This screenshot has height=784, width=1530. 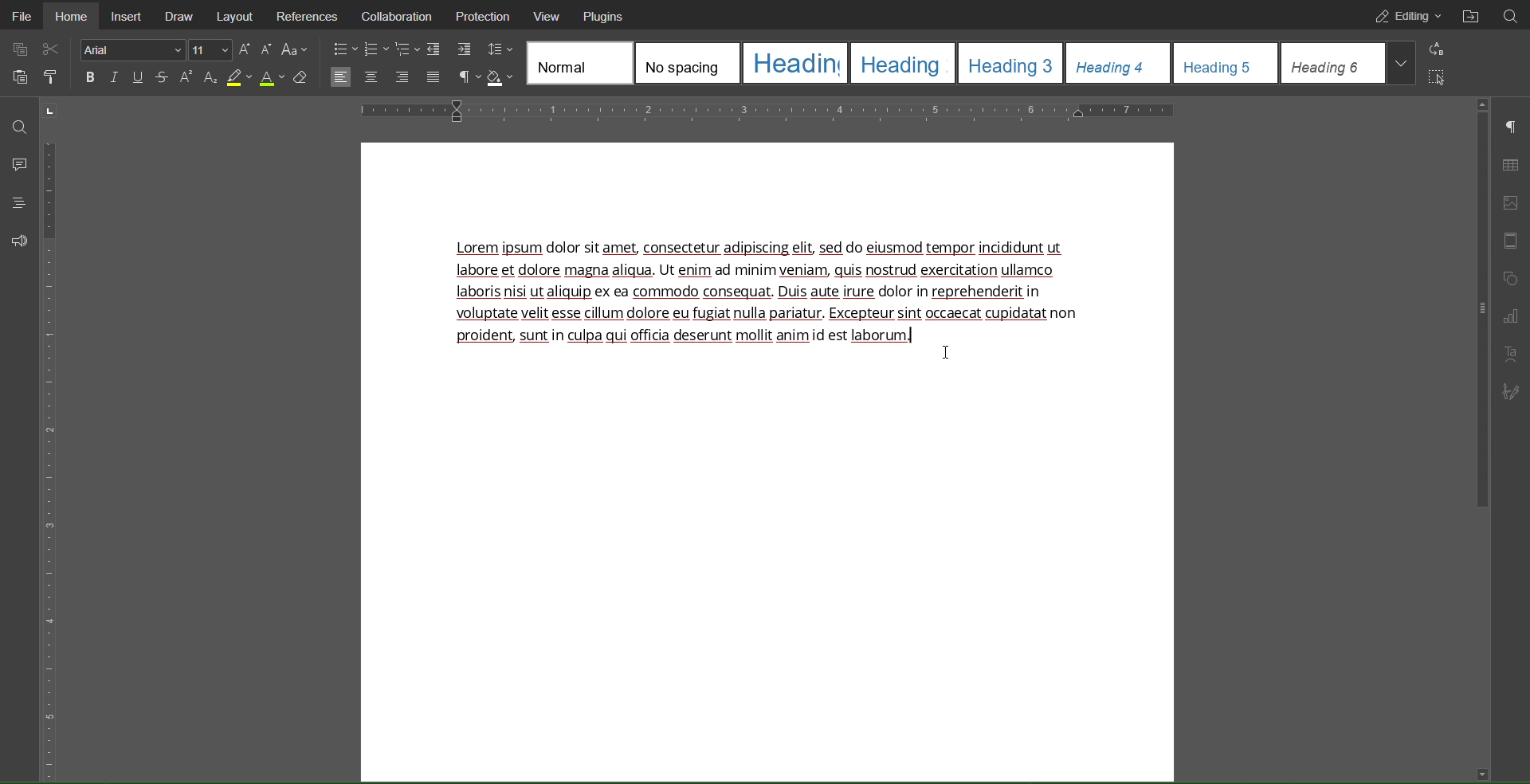 What do you see at coordinates (1512, 278) in the screenshot?
I see `Shape Settings` at bounding box center [1512, 278].